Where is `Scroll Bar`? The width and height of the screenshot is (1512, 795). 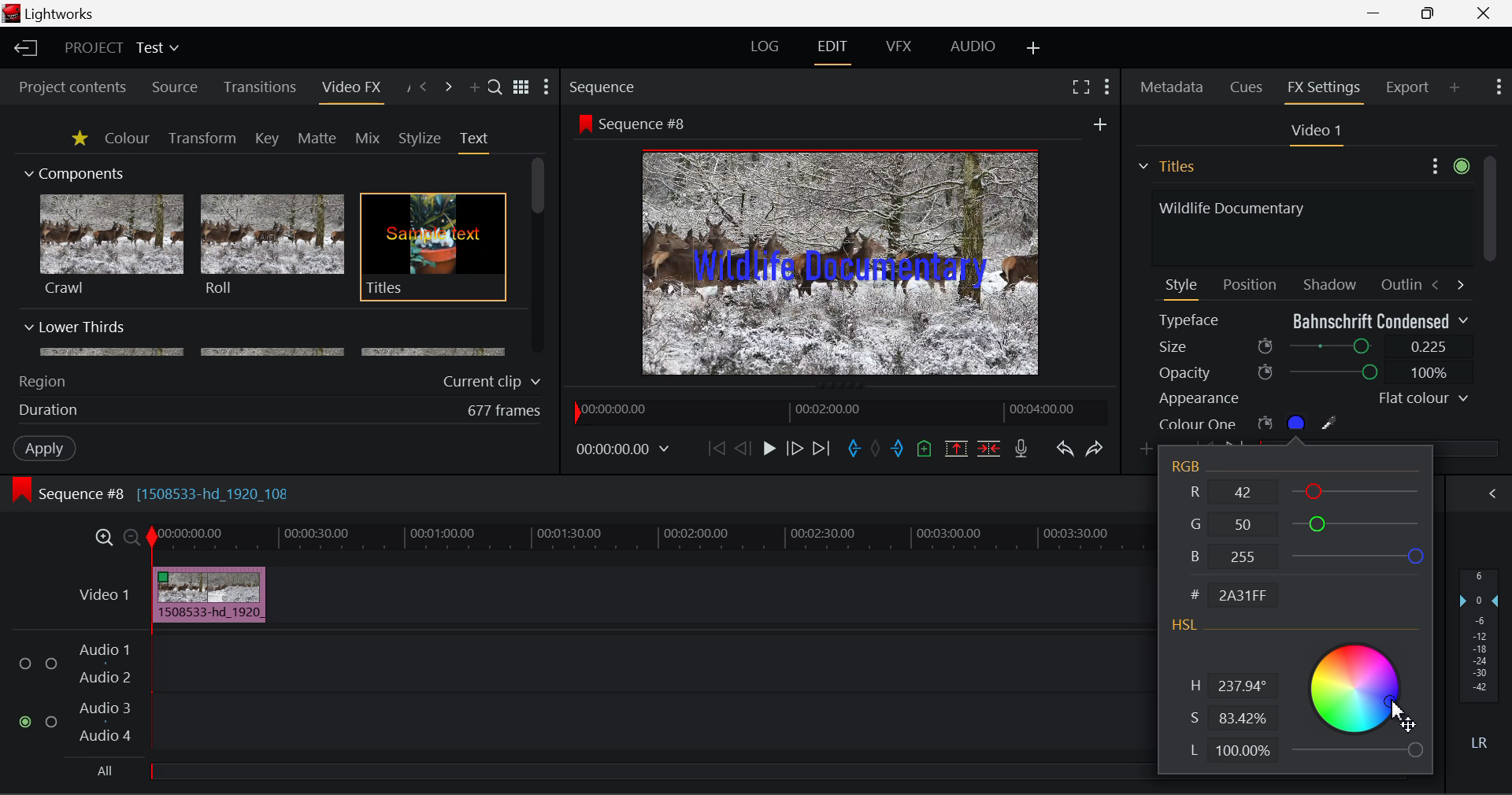 Scroll Bar is located at coordinates (539, 257).